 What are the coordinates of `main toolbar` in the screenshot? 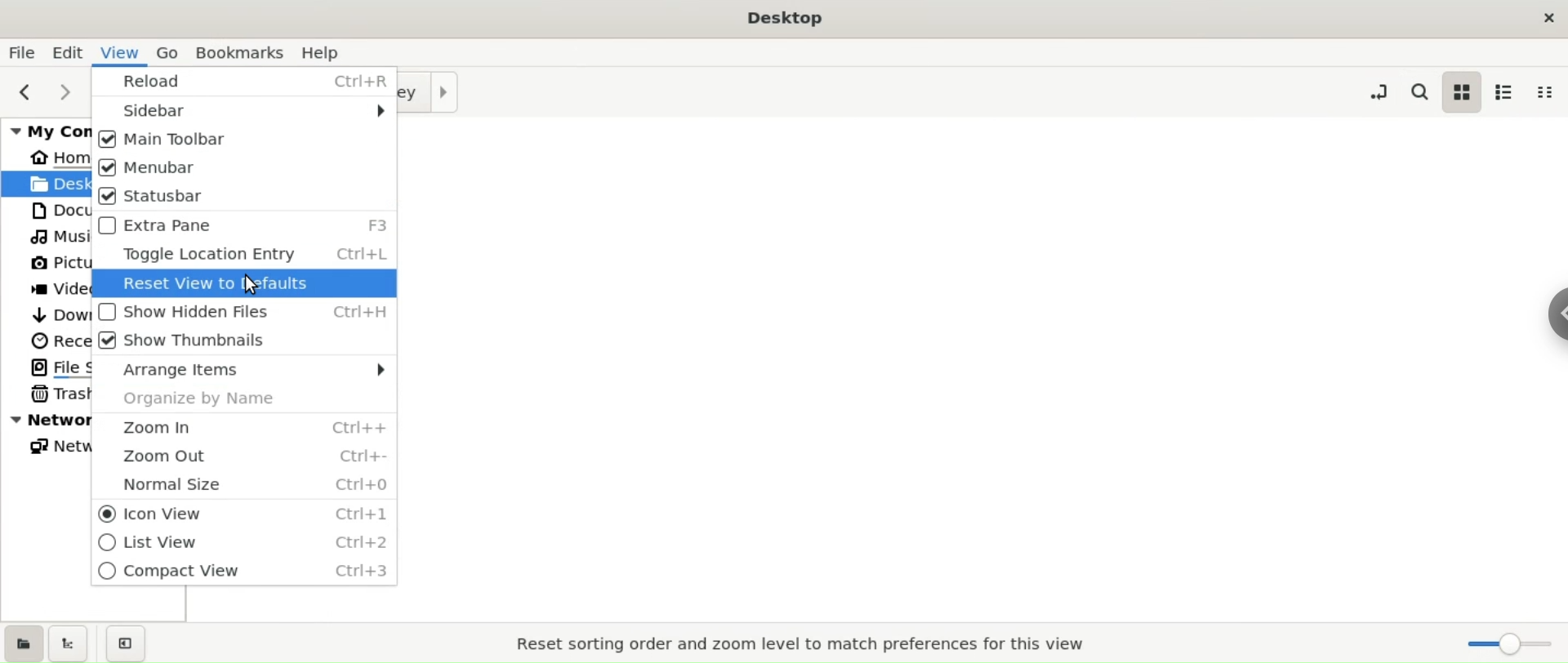 It's located at (246, 140).